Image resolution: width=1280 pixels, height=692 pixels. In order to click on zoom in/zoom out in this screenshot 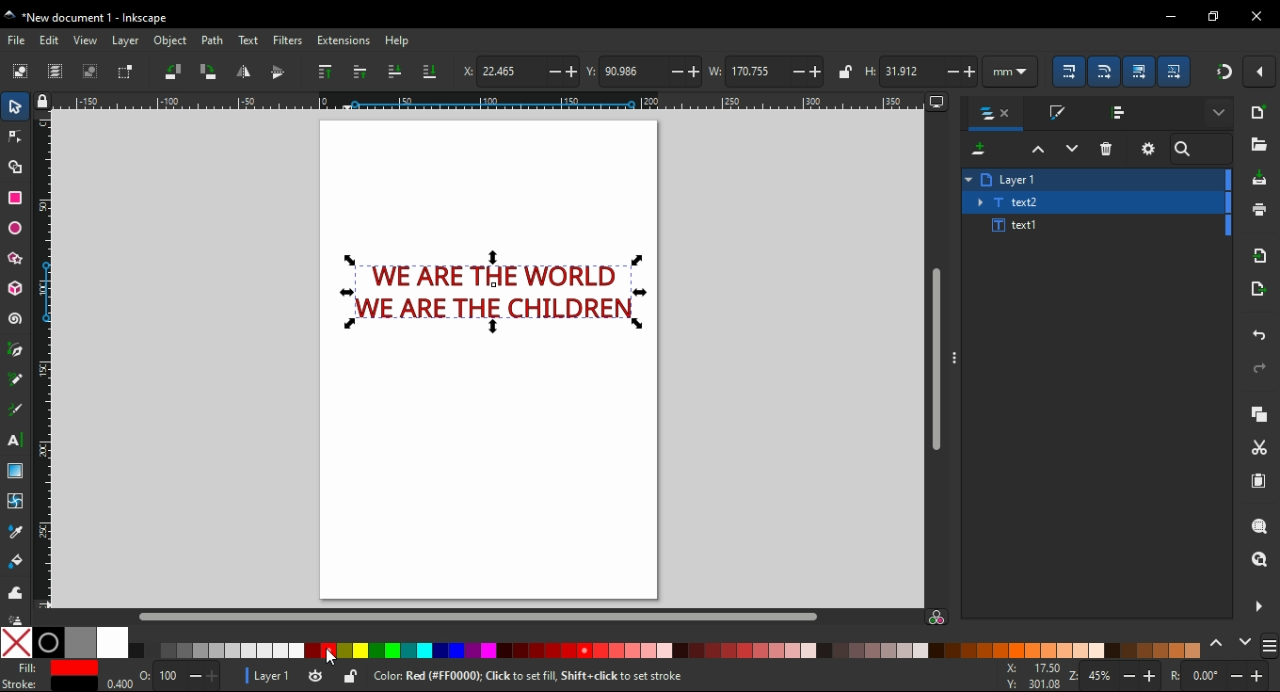, I will do `click(1117, 675)`.